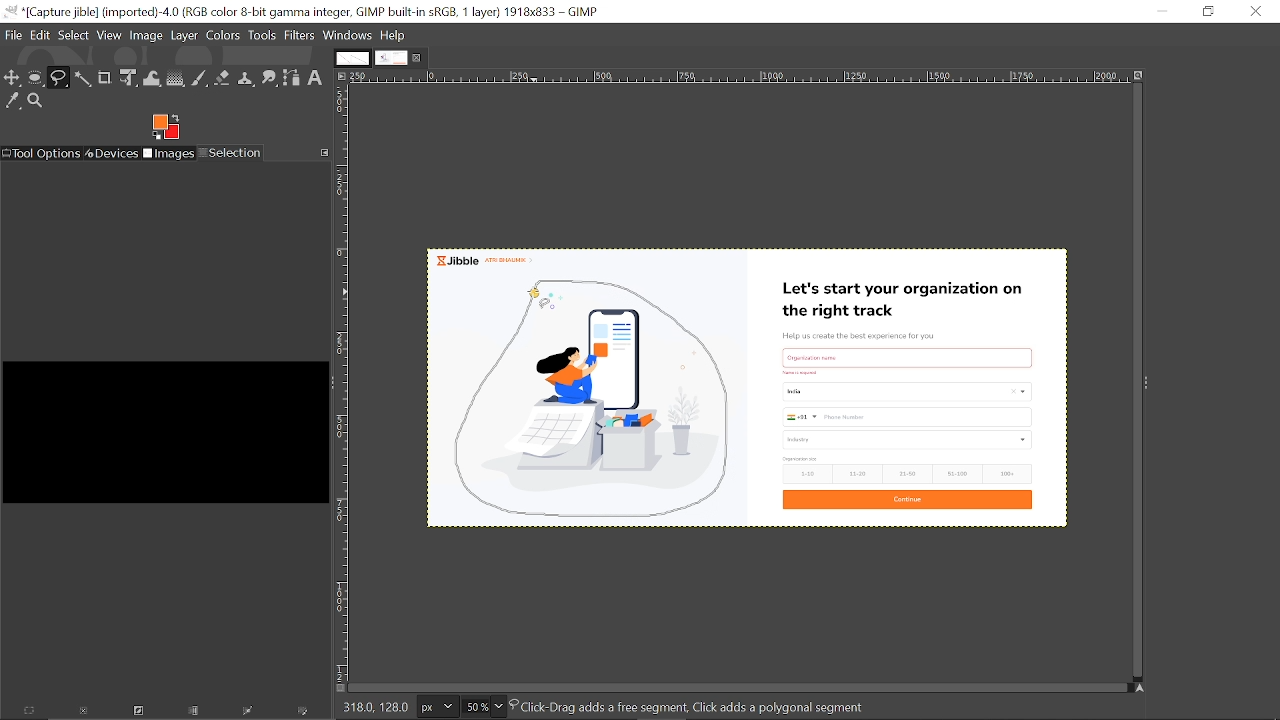  Describe the element at coordinates (596, 393) in the screenshot. I see `selected area` at that location.